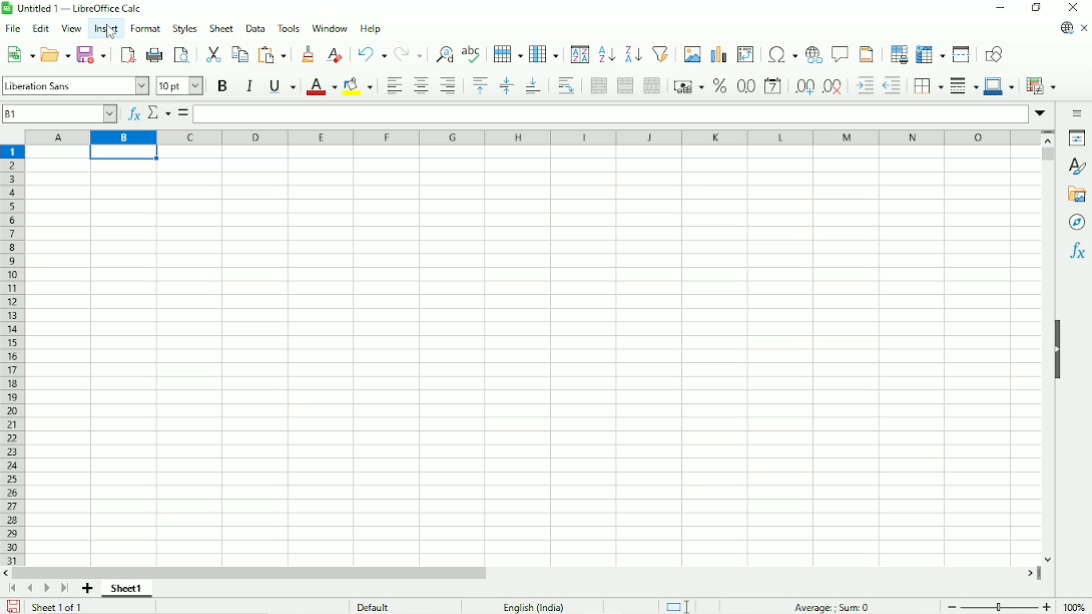  I want to click on Decrease indent, so click(893, 85).